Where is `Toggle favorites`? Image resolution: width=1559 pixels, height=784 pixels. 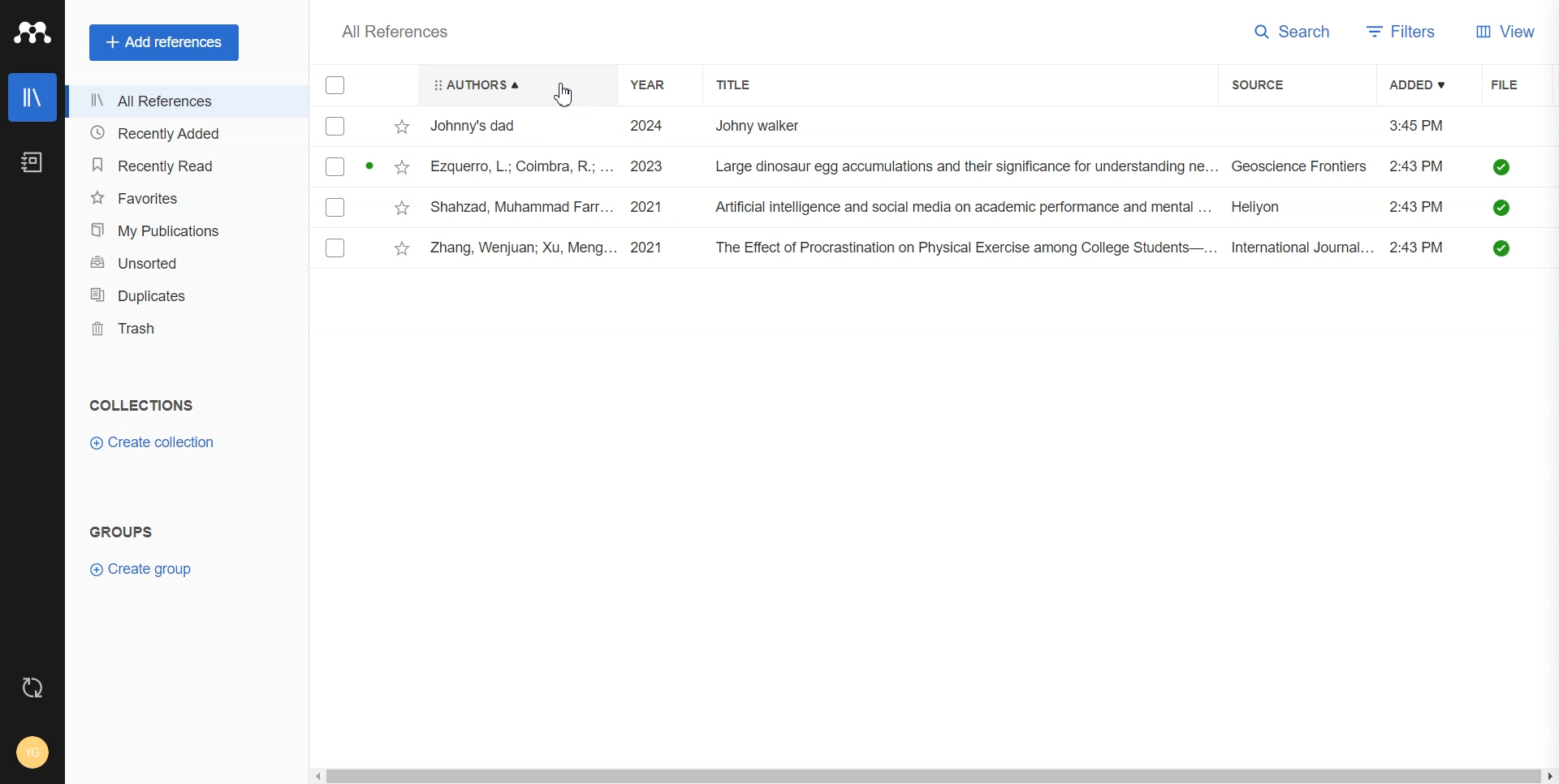 Toggle favorites is located at coordinates (402, 127).